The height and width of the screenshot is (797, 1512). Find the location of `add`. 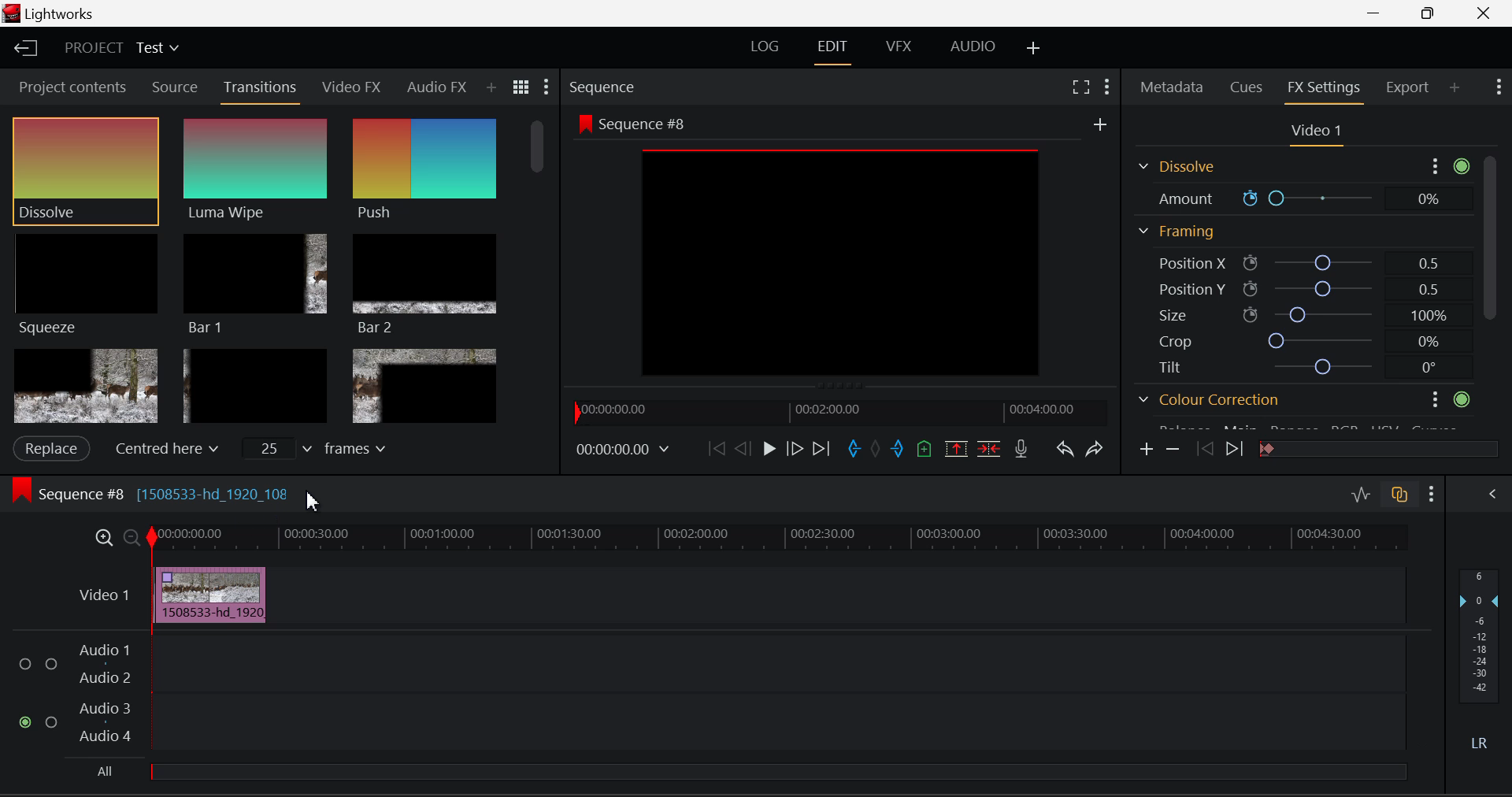

add is located at coordinates (1100, 121).